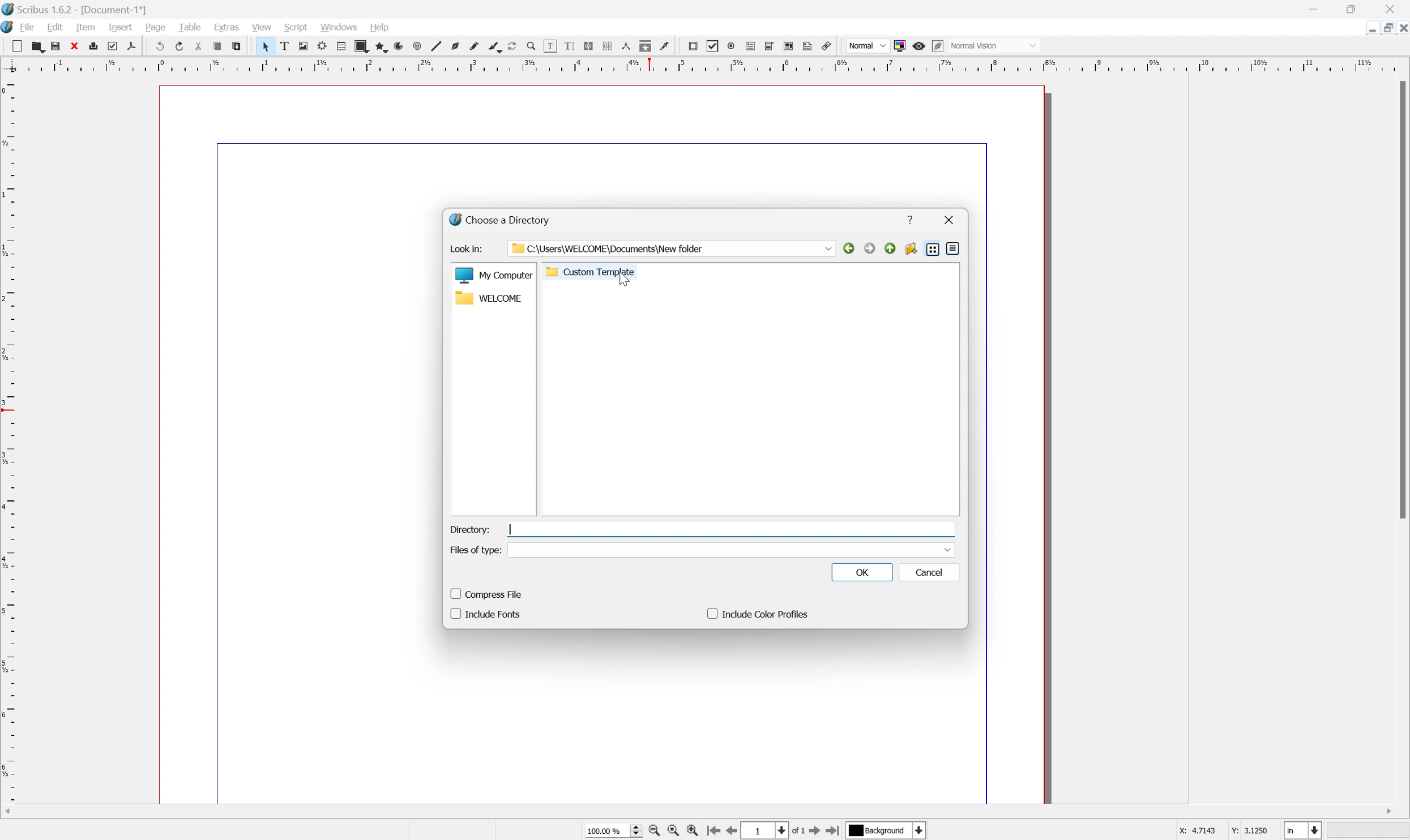 Image resolution: width=1410 pixels, height=840 pixels. What do you see at coordinates (732, 46) in the screenshot?
I see `PDF radio button` at bounding box center [732, 46].